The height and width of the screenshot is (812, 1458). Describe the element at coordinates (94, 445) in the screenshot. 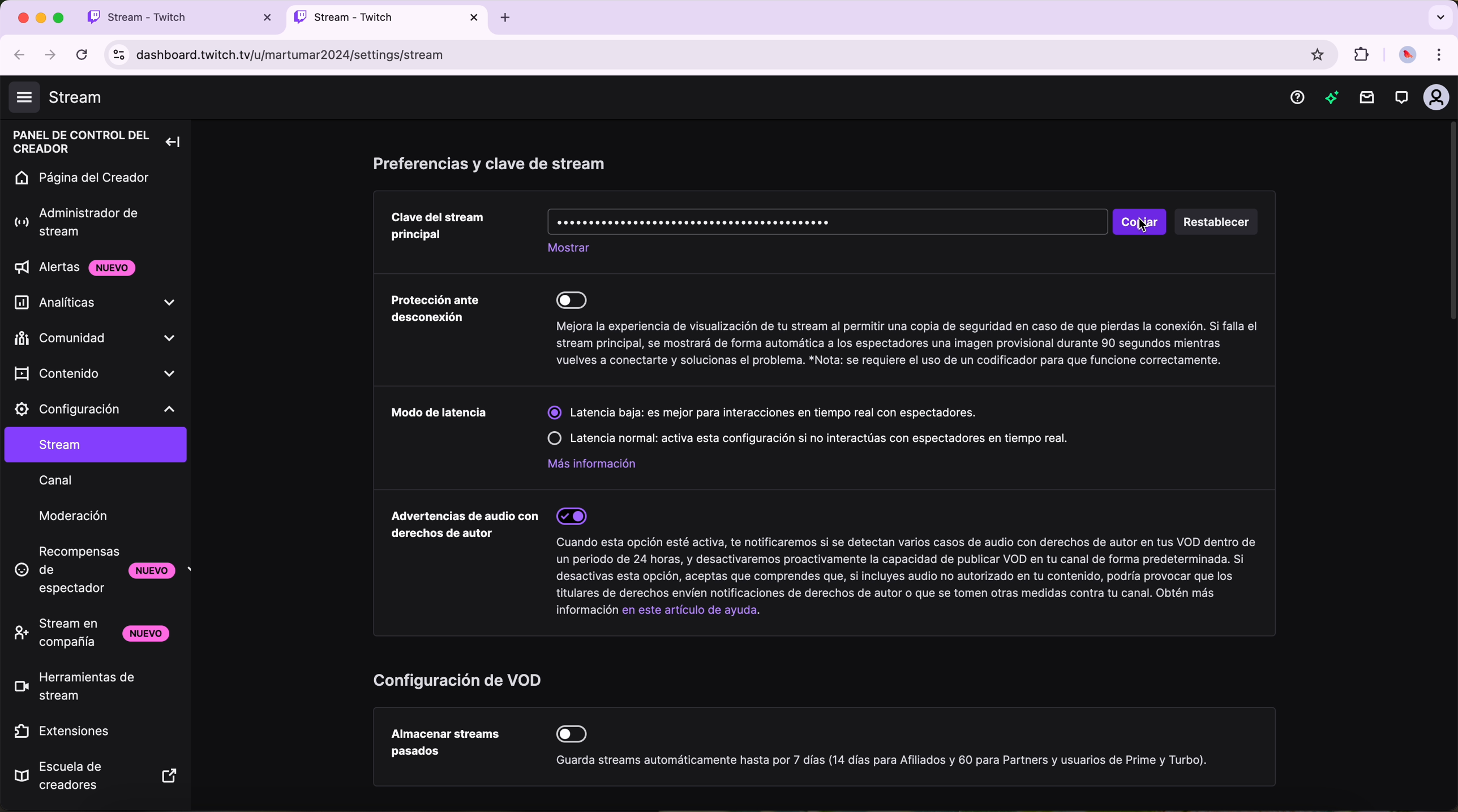

I see `stream` at that location.